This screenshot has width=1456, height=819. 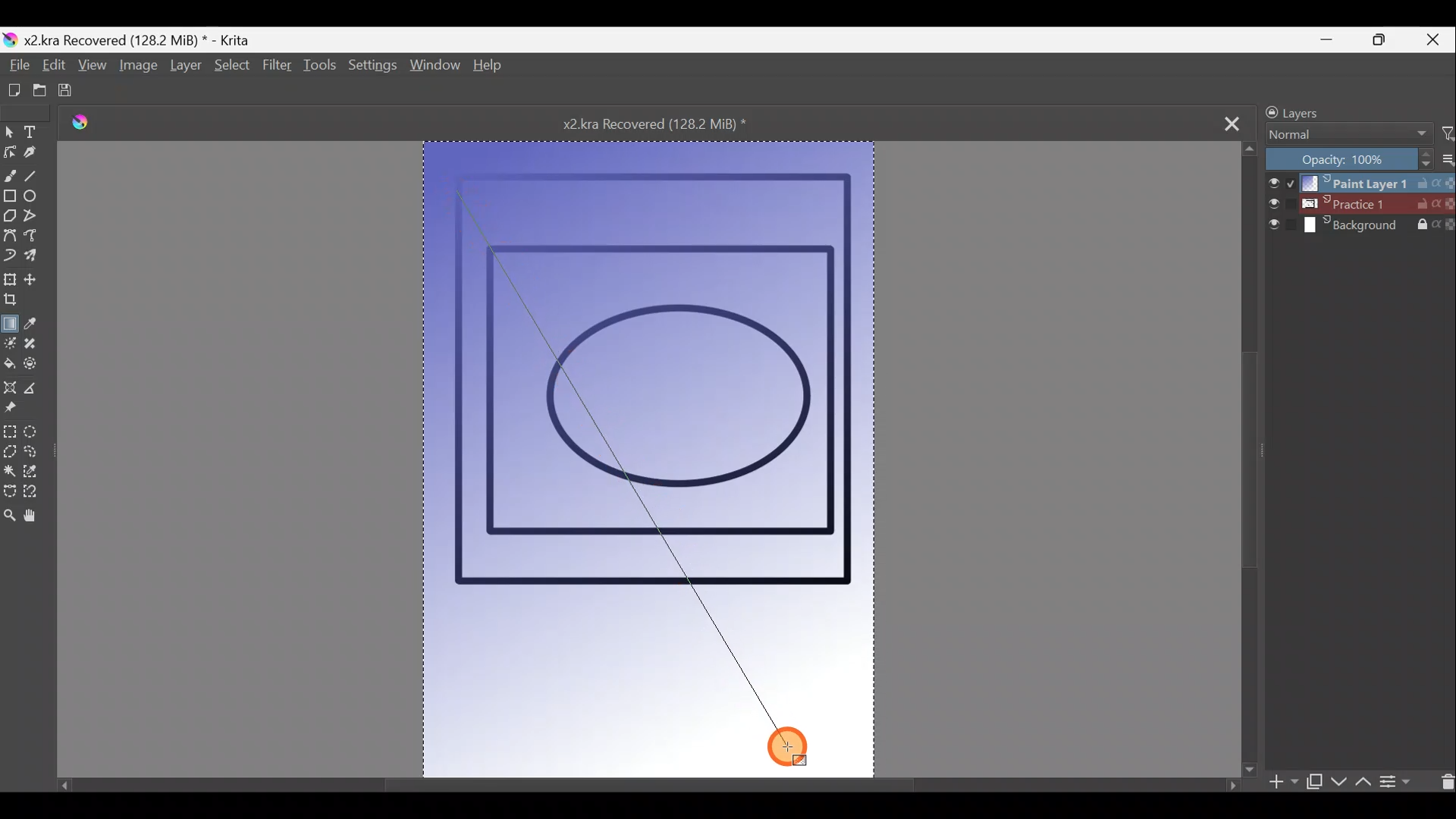 What do you see at coordinates (14, 302) in the screenshot?
I see `Crop the image to an area` at bounding box center [14, 302].